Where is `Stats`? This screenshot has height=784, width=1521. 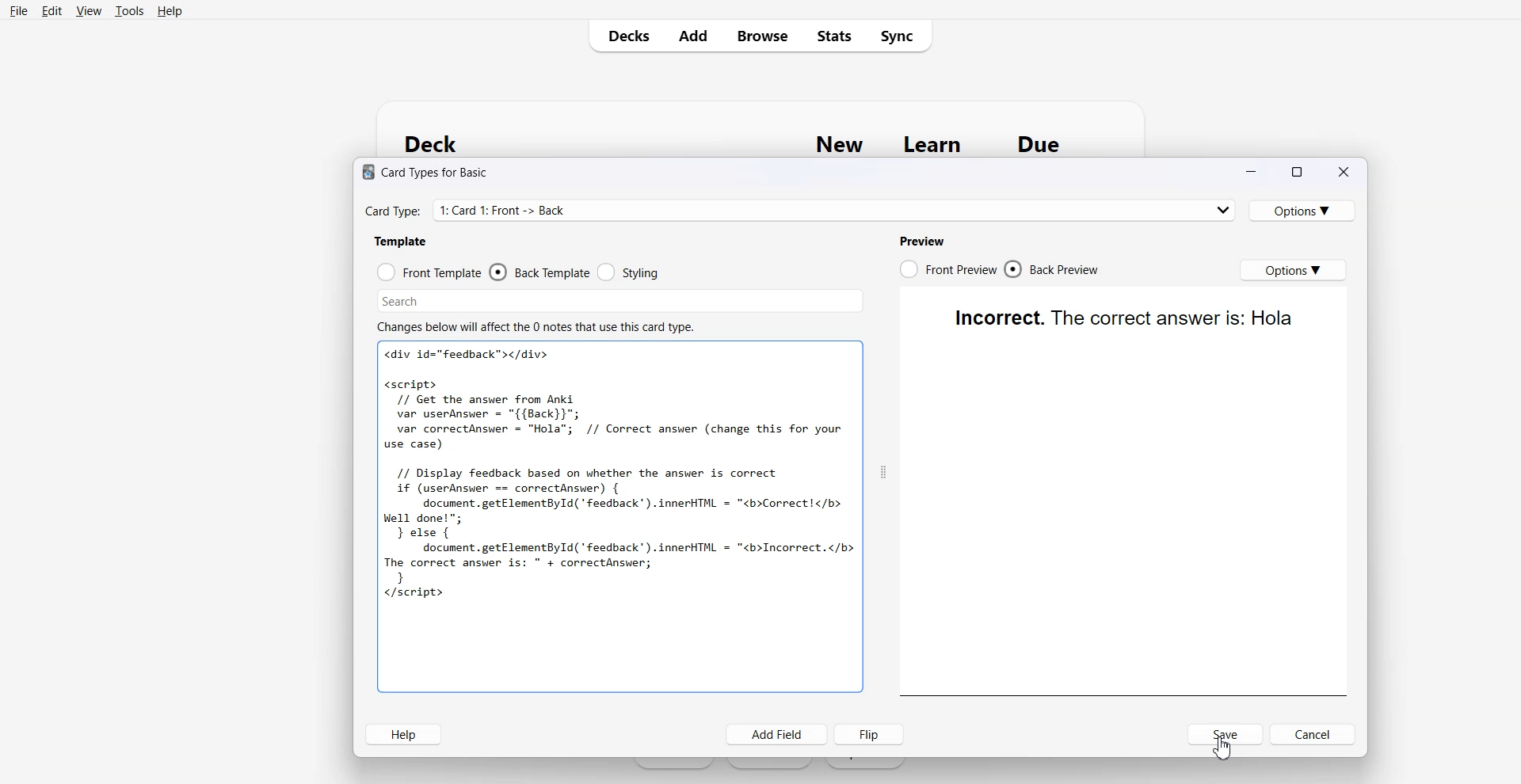
Stats is located at coordinates (832, 35).